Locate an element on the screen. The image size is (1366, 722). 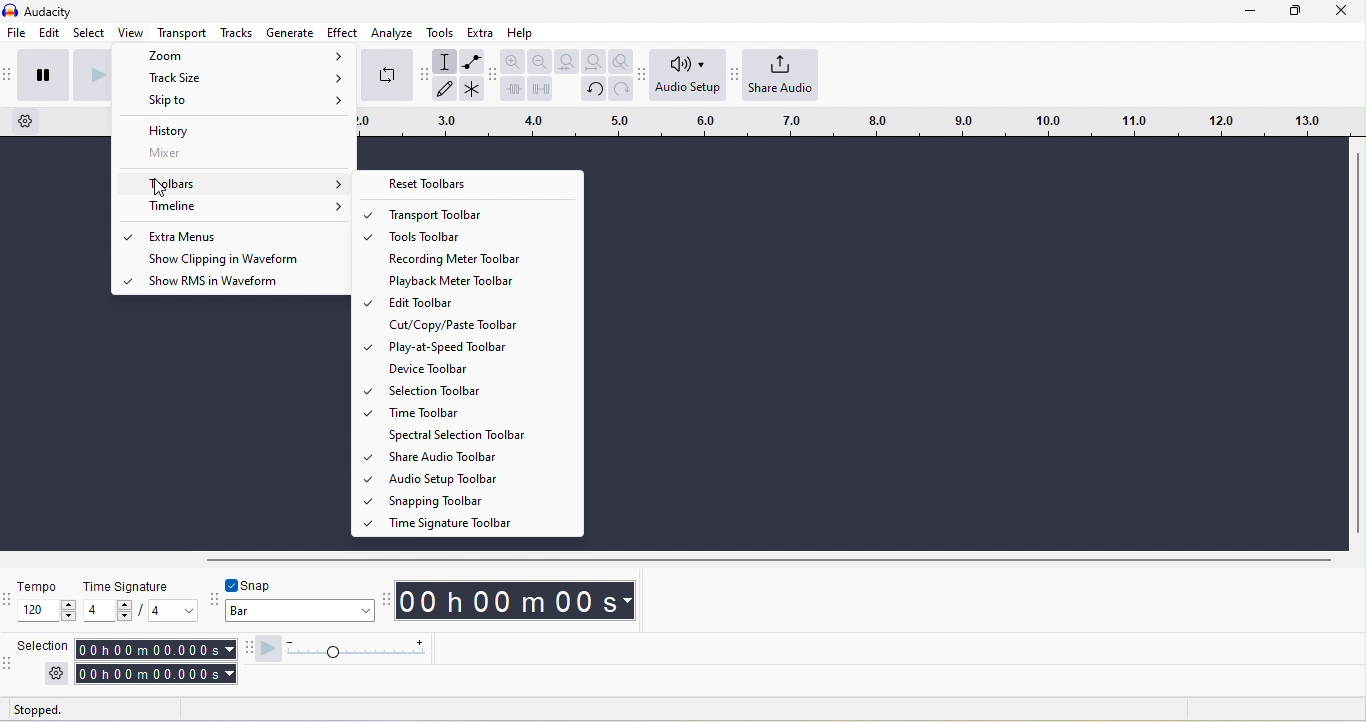
selection end time is located at coordinates (157, 674).